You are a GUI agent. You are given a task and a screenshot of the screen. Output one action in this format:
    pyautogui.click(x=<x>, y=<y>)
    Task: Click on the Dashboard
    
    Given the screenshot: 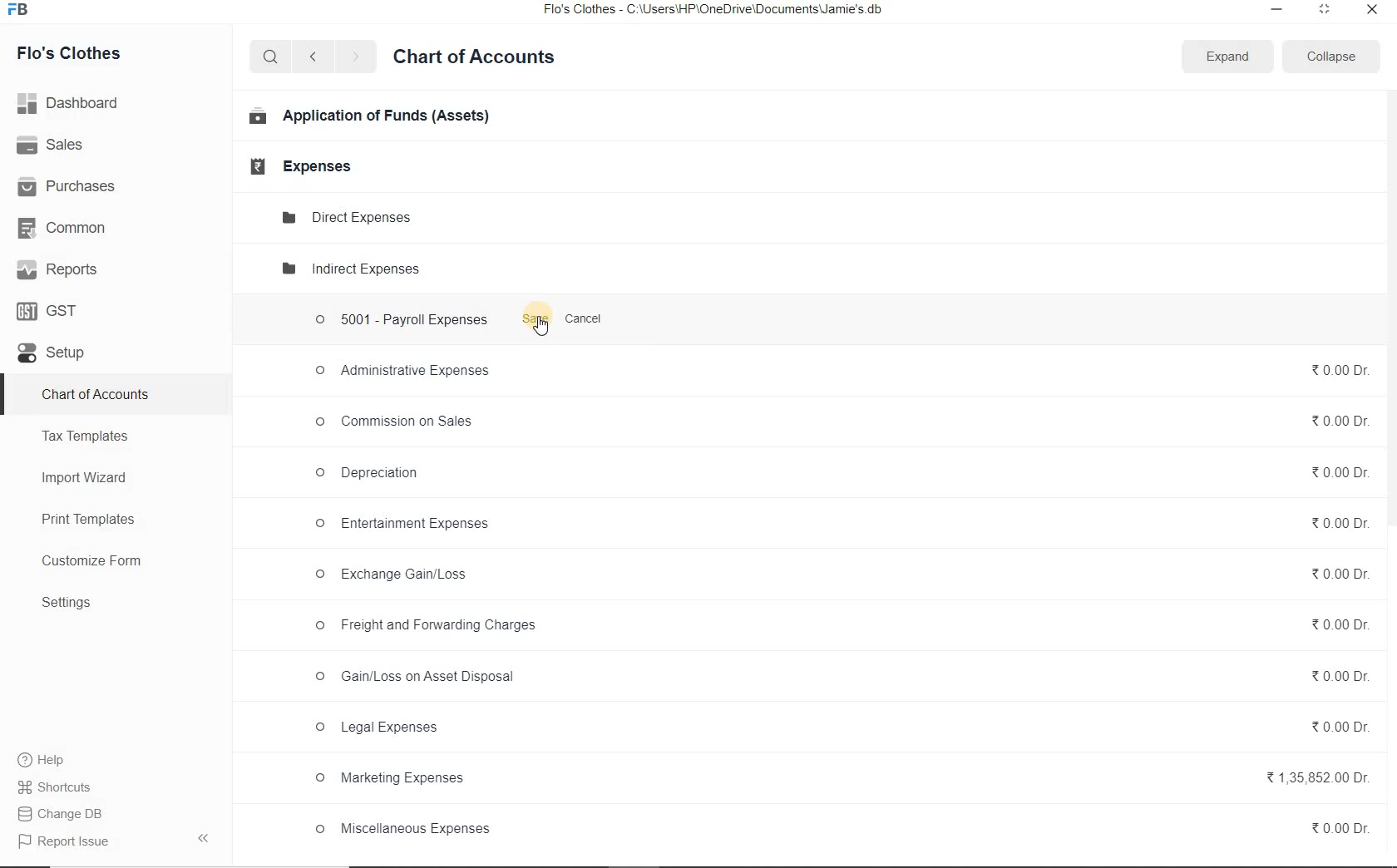 What is the action you would take?
    pyautogui.click(x=72, y=101)
    